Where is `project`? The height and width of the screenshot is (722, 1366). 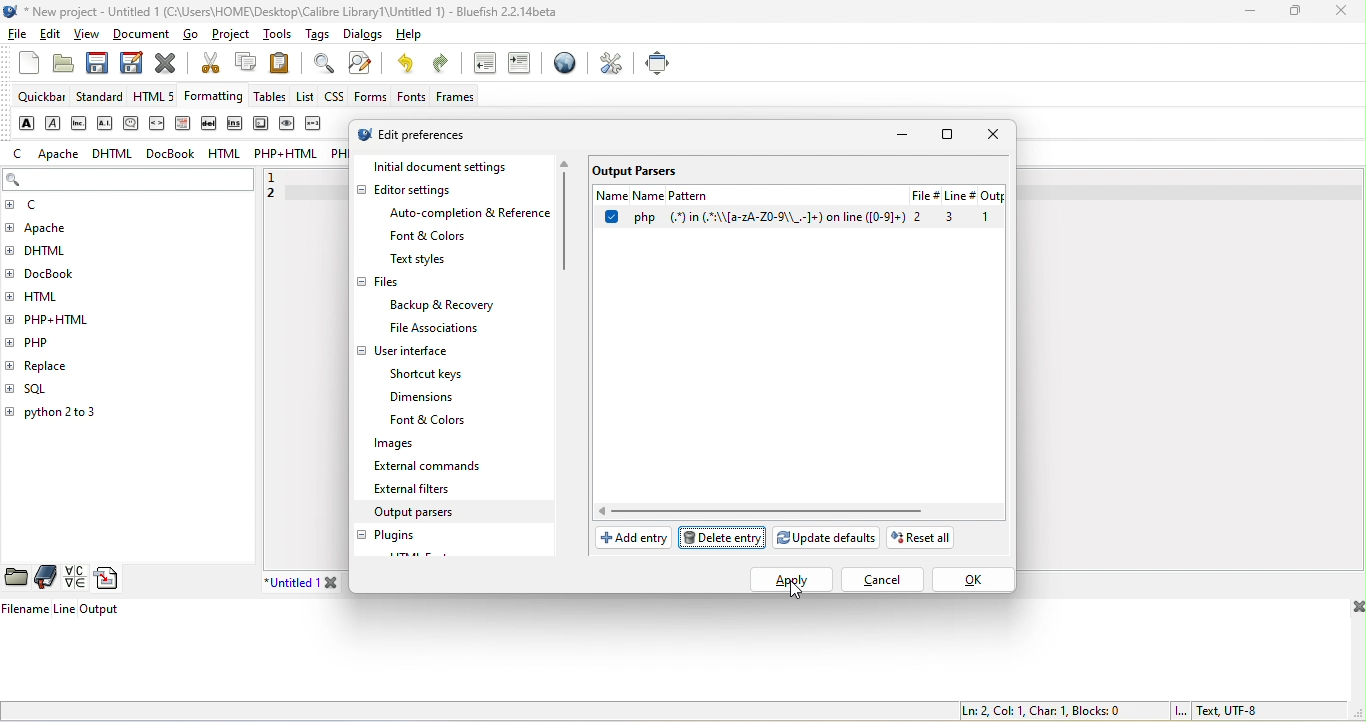 project is located at coordinates (233, 37).